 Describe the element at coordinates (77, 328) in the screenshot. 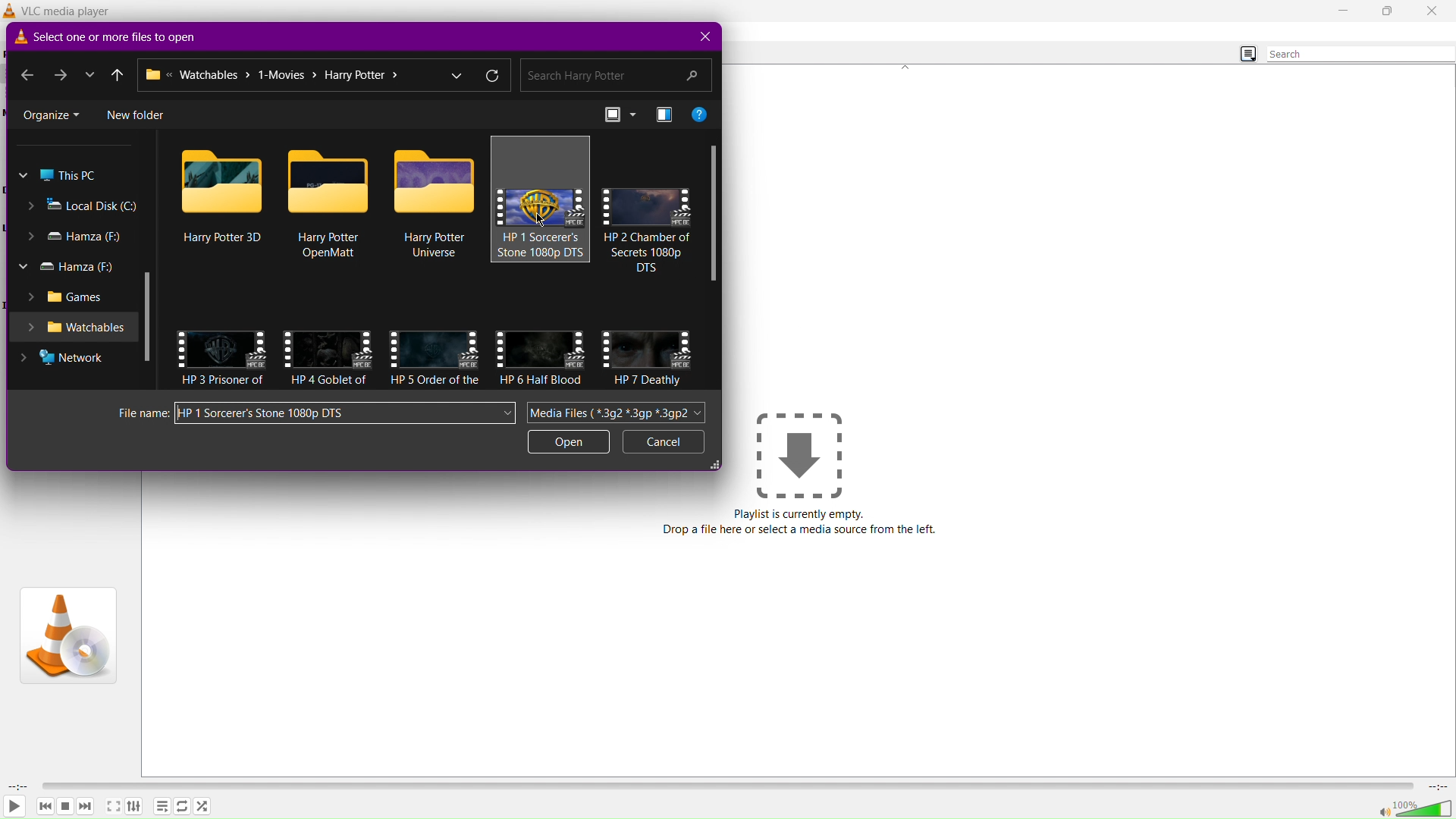

I see `watchables` at that location.